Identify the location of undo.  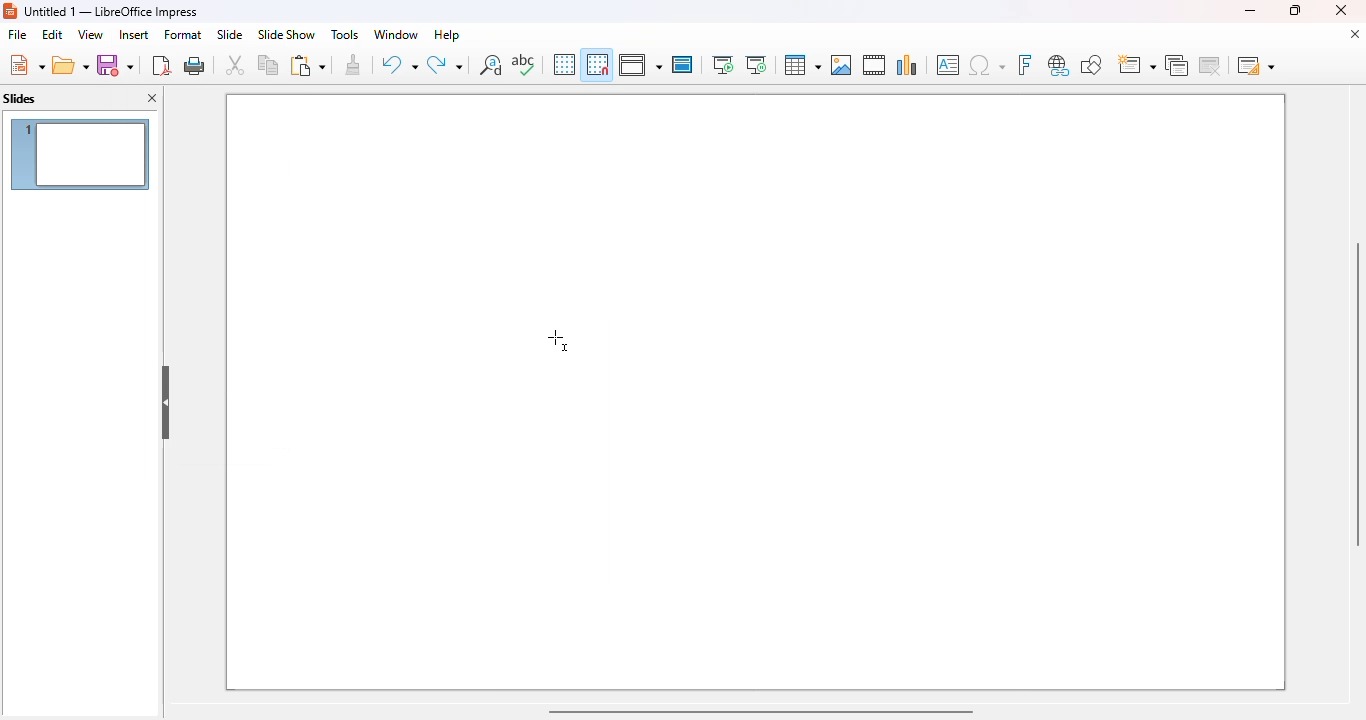
(399, 65).